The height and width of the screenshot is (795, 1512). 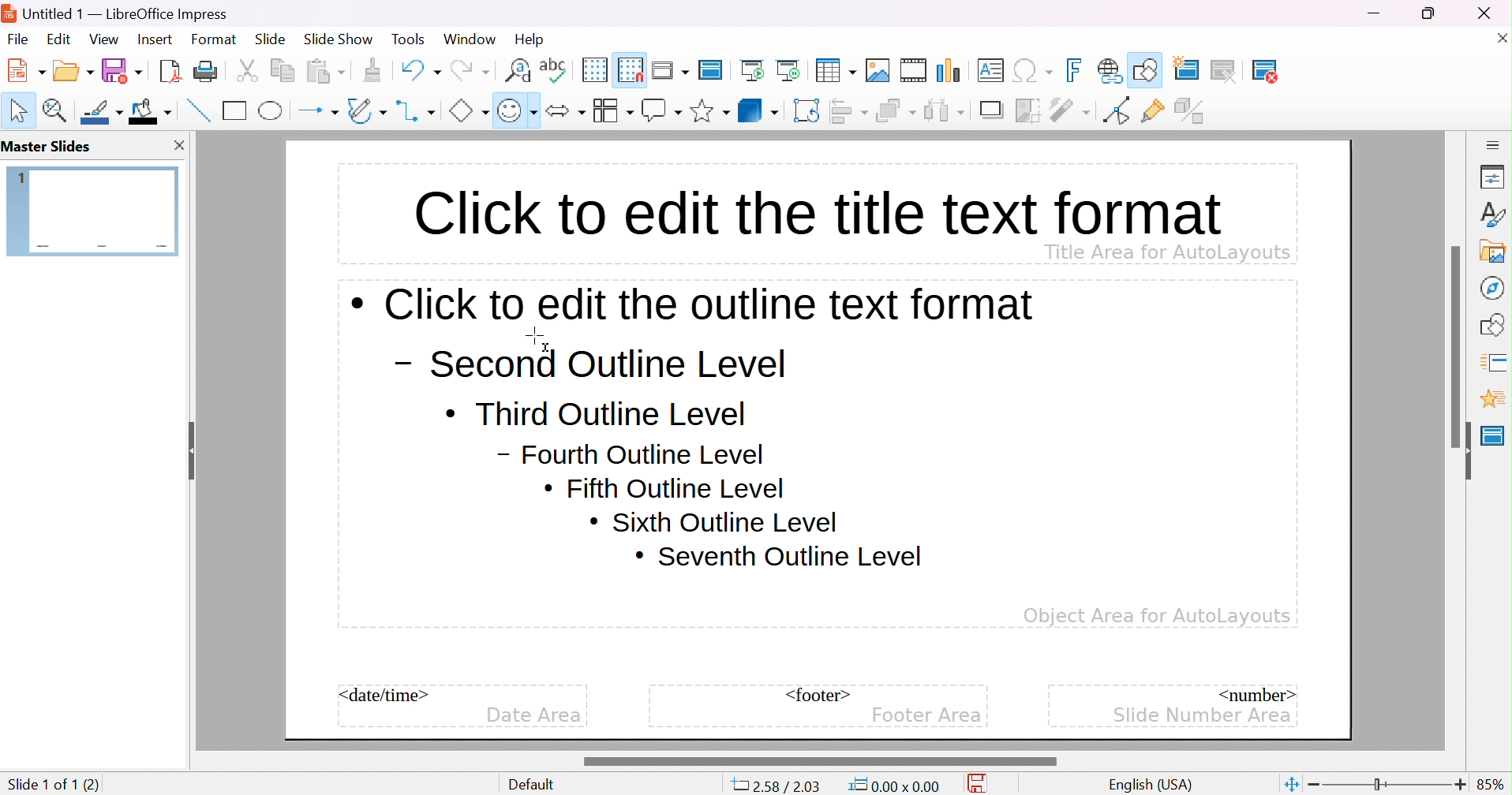 What do you see at coordinates (982, 784) in the screenshot?
I see `save` at bounding box center [982, 784].